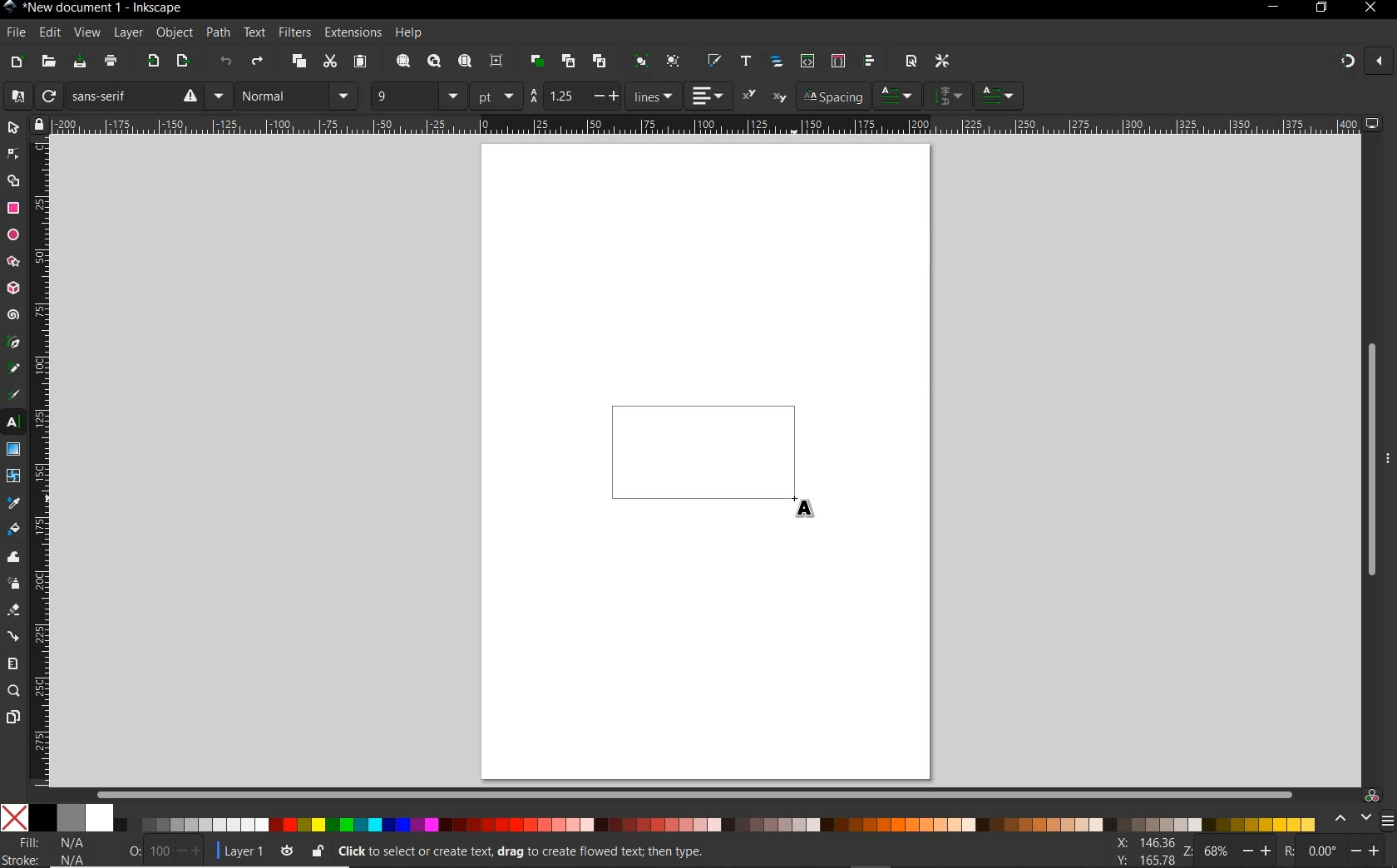  Describe the element at coordinates (1286, 850) in the screenshot. I see `rotation` at that location.